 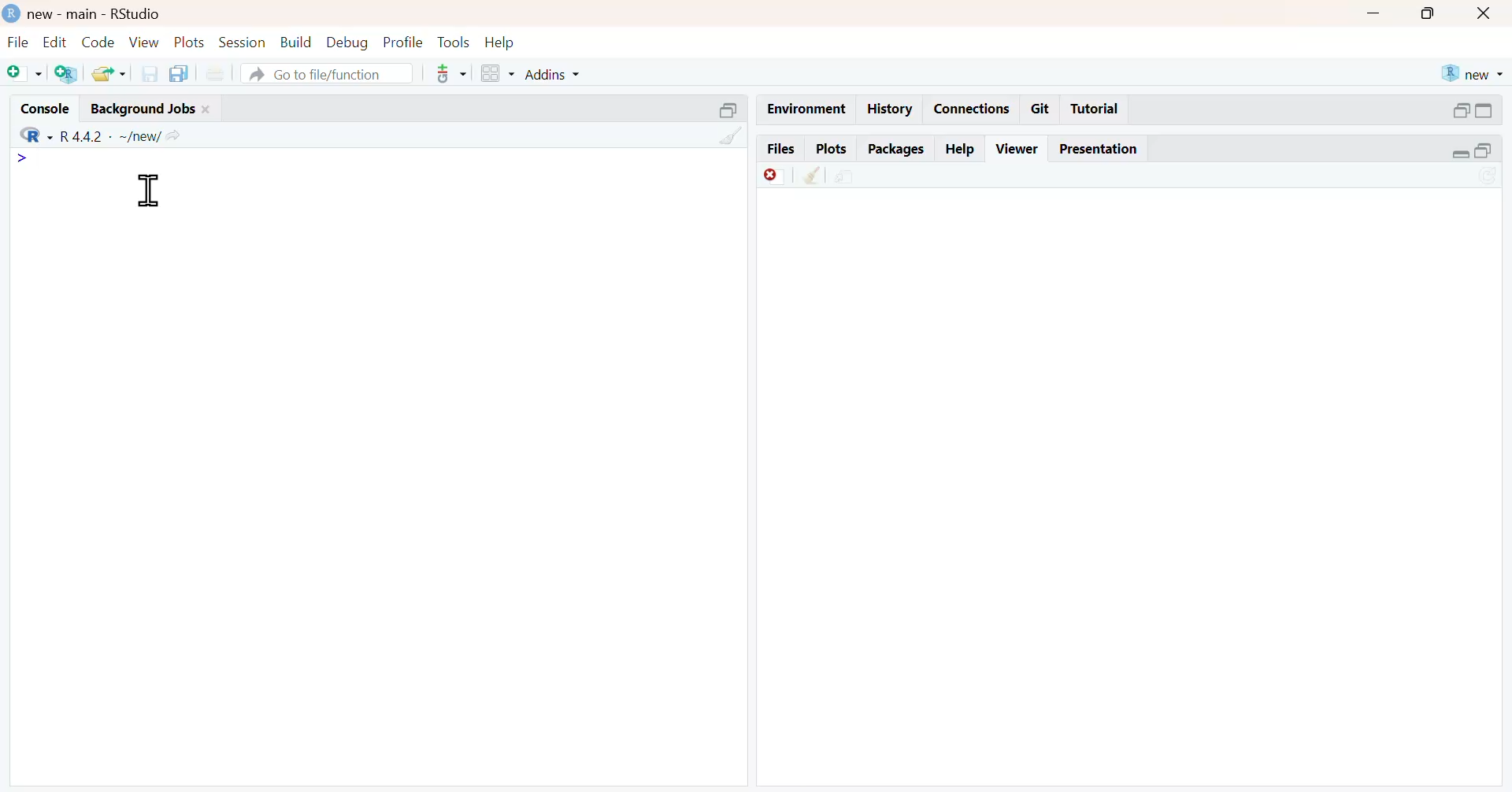 What do you see at coordinates (453, 41) in the screenshot?
I see `tools` at bounding box center [453, 41].